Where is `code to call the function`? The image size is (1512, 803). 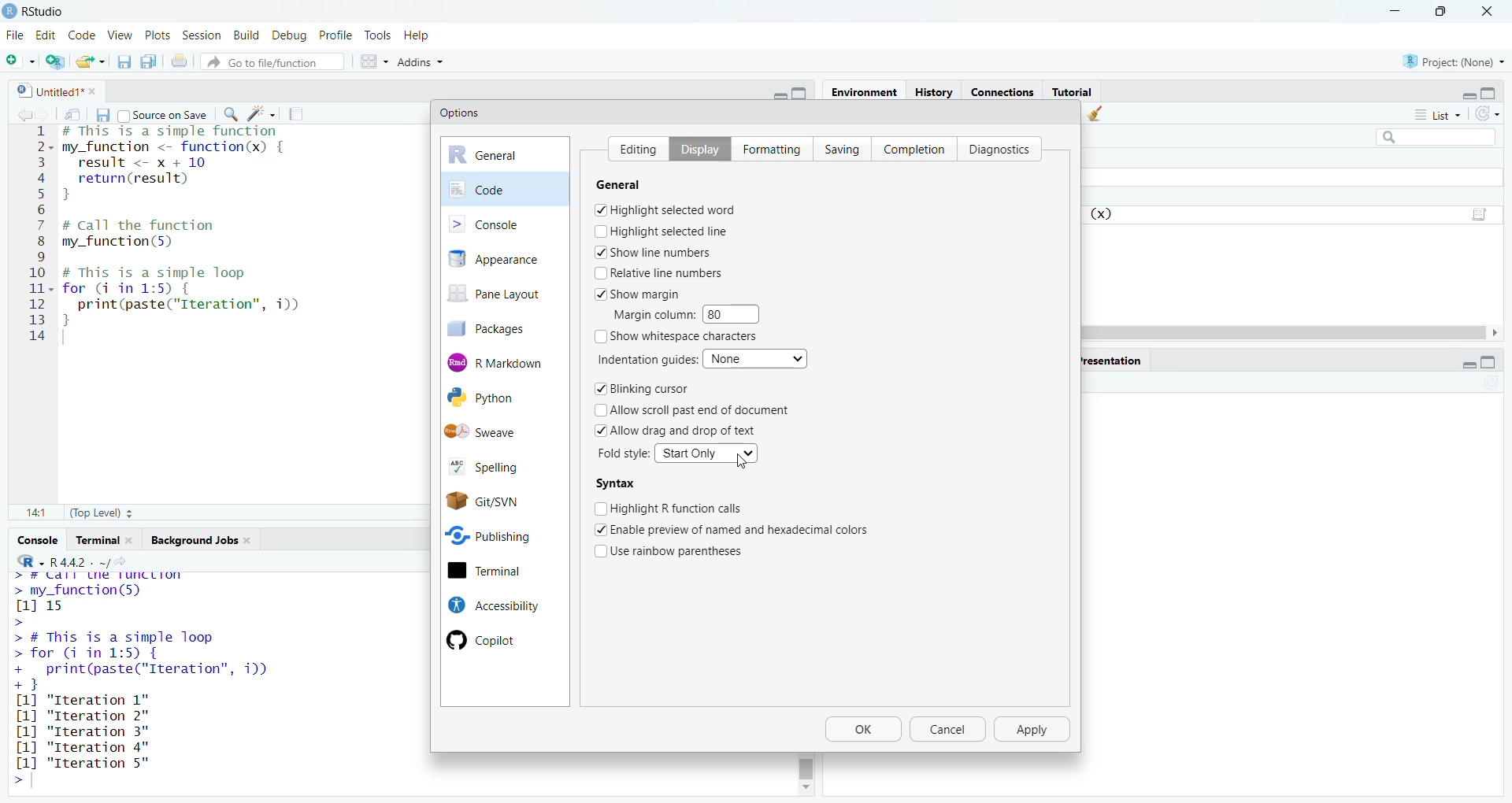 code to call the function is located at coordinates (175, 235).